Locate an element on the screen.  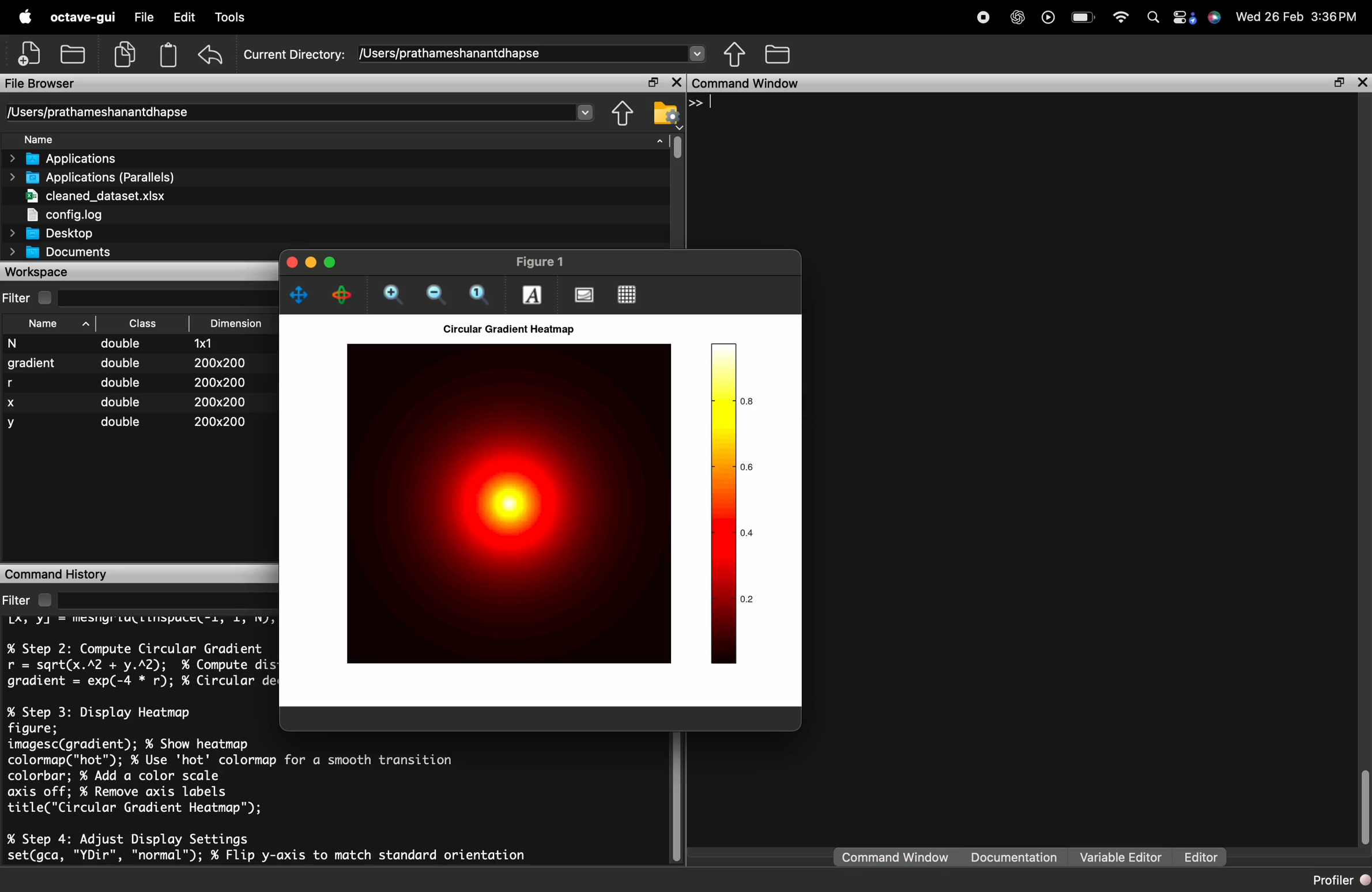
File Browser is located at coordinates (315, 83).